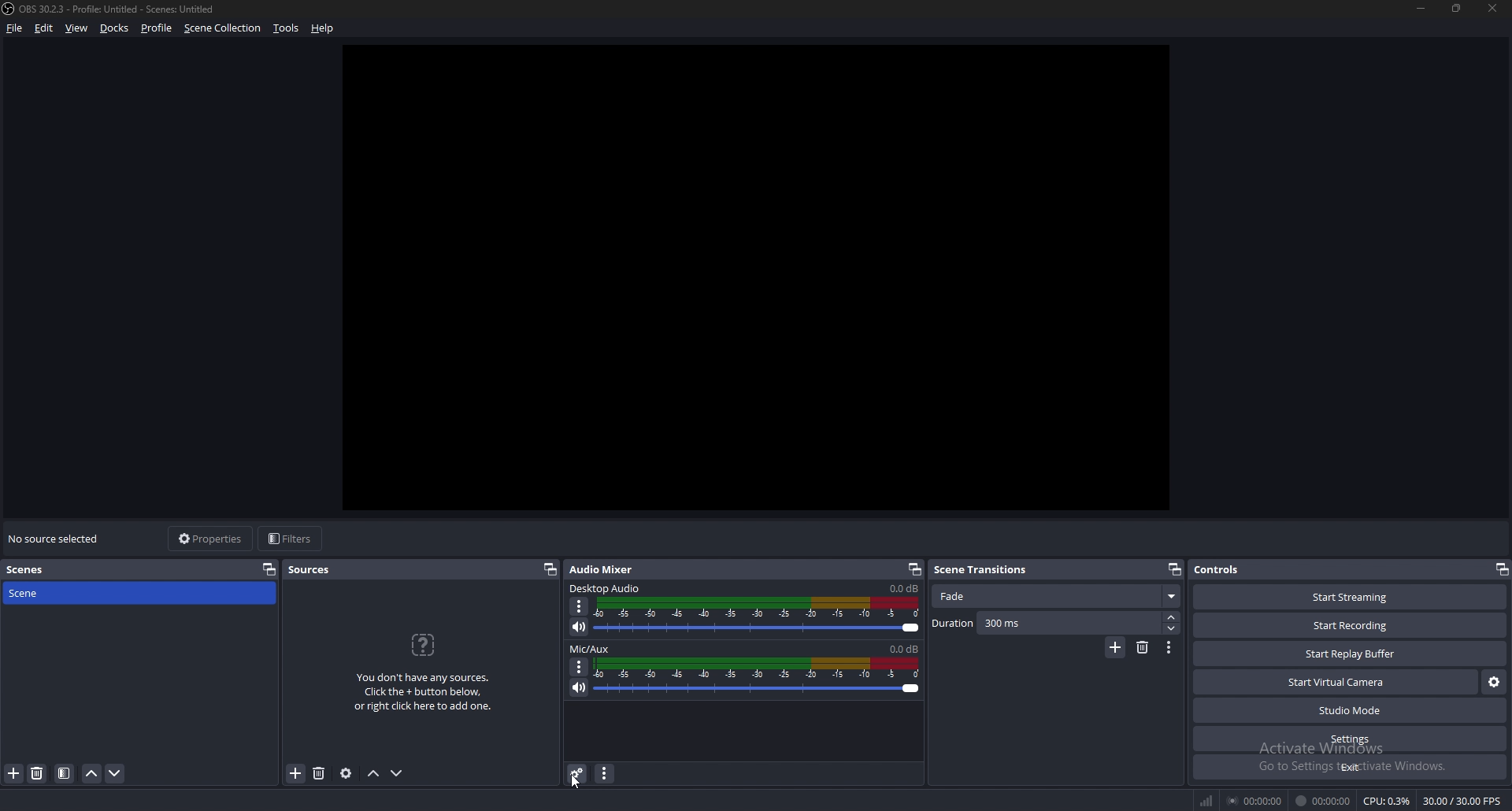  I want to click on properties, so click(209, 538).